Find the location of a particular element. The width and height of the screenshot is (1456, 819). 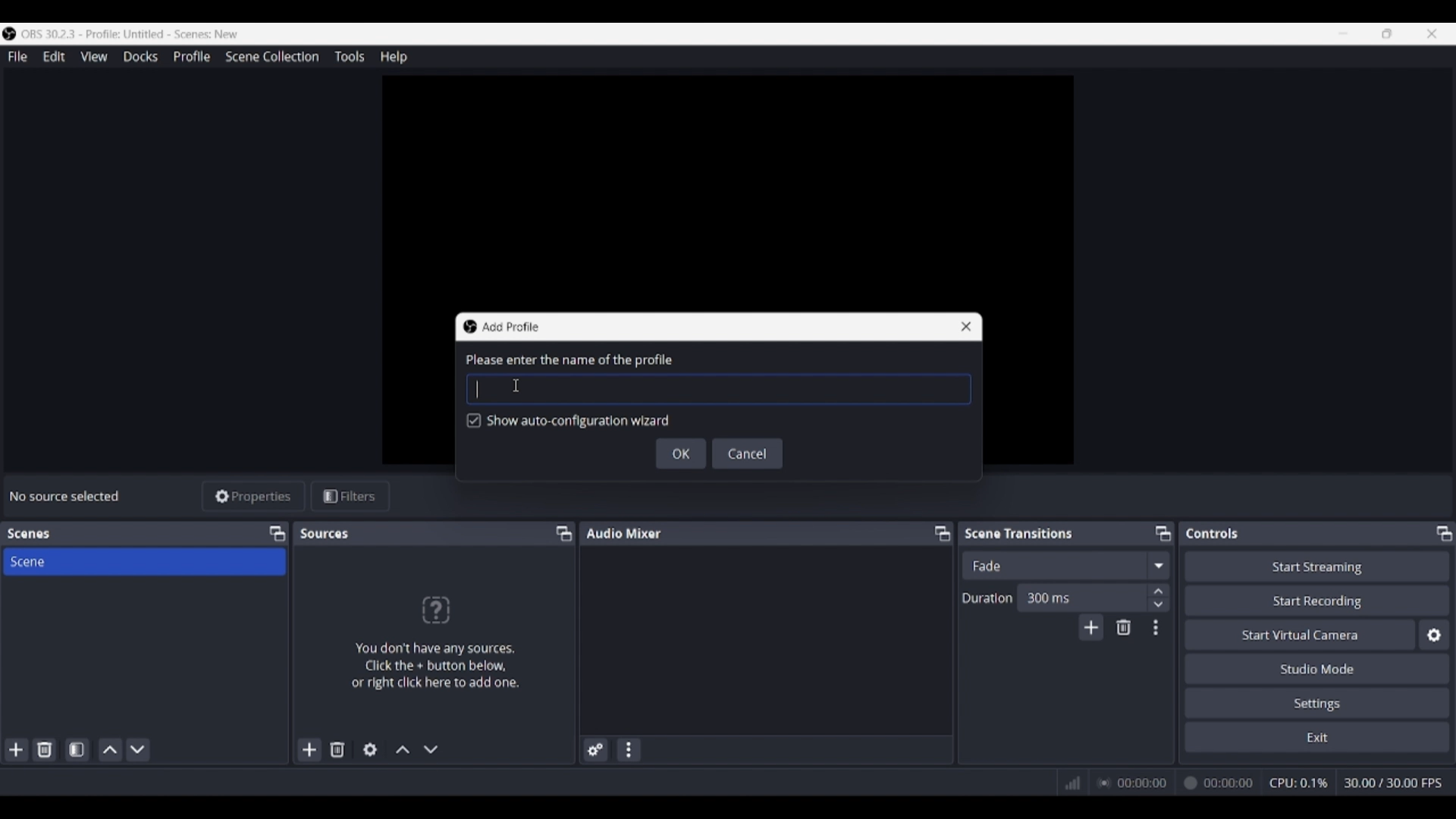

Panel logo and text is located at coordinates (434, 642).